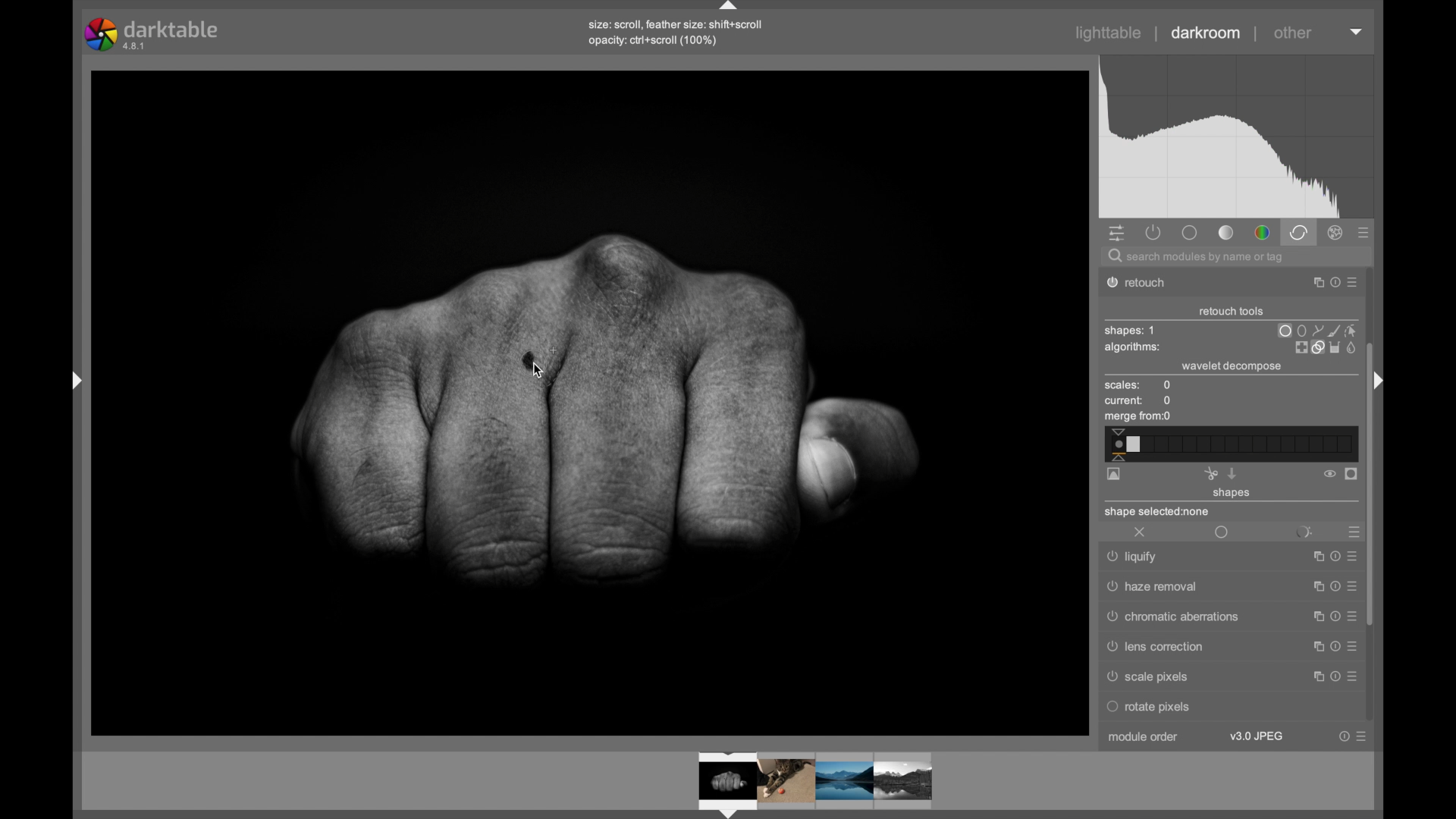 This screenshot has height=819, width=1456. What do you see at coordinates (1352, 532) in the screenshot?
I see `presets` at bounding box center [1352, 532].